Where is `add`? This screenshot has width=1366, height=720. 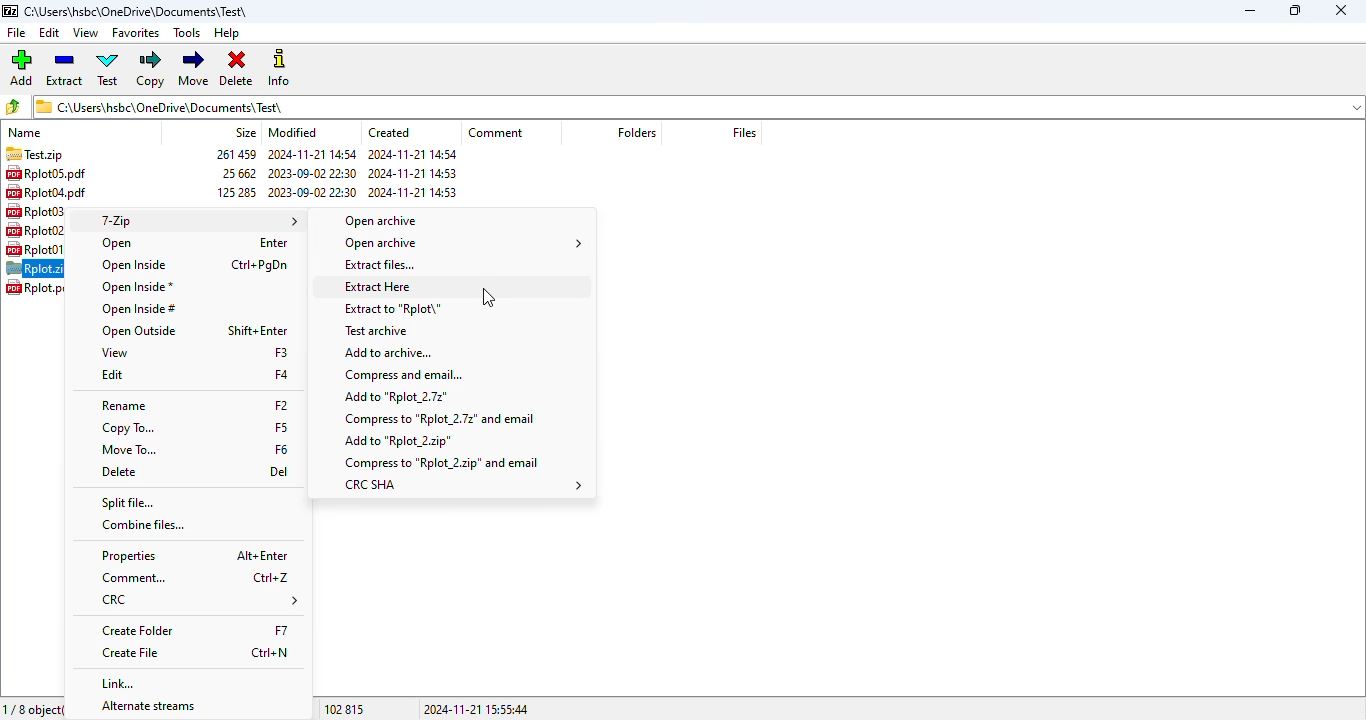 add is located at coordinates (21, 66).